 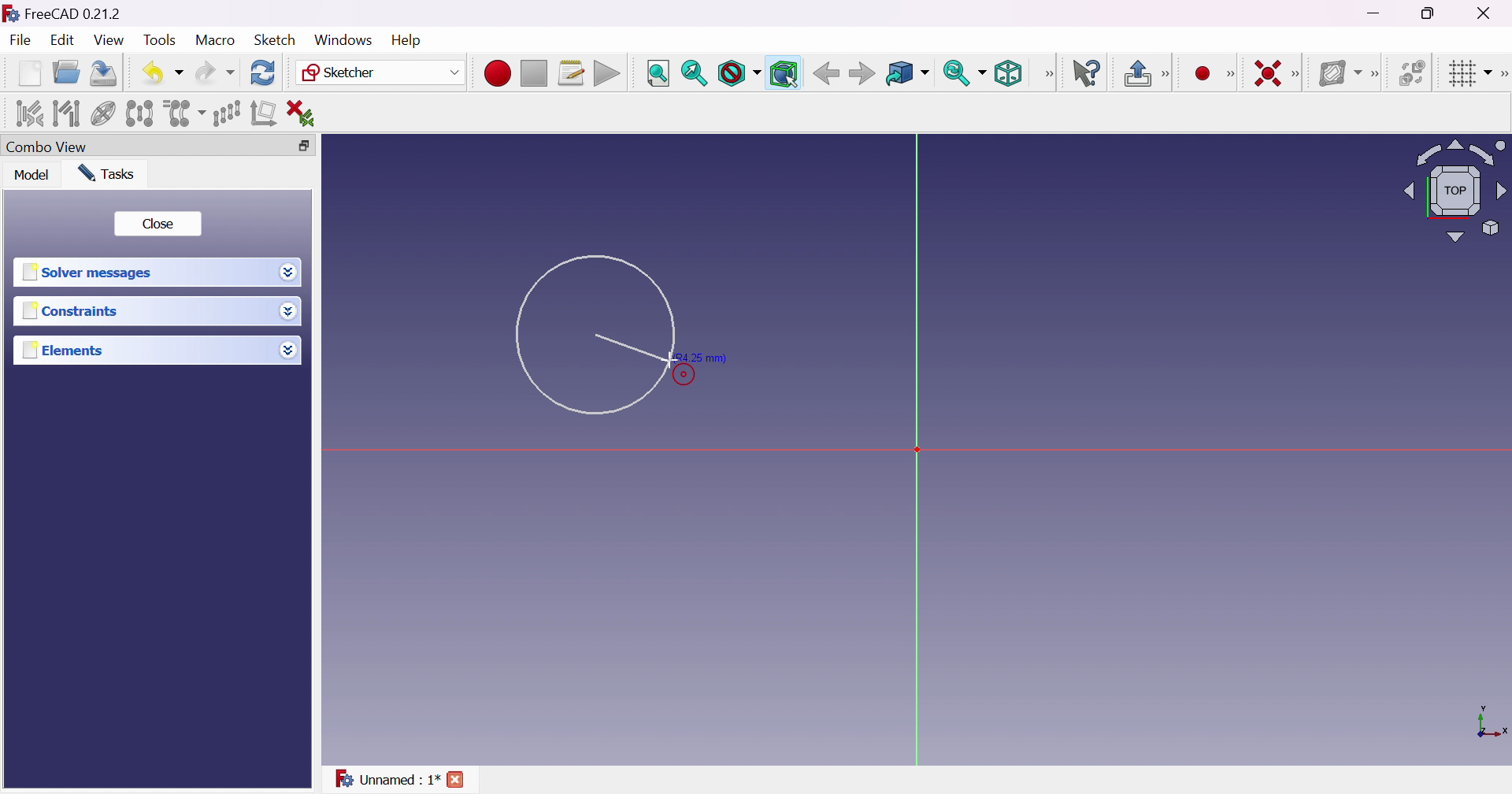 What do you see at coordinates (161, 41) in the screenshot?
I see `Tools` at bounding box center [161, 41].